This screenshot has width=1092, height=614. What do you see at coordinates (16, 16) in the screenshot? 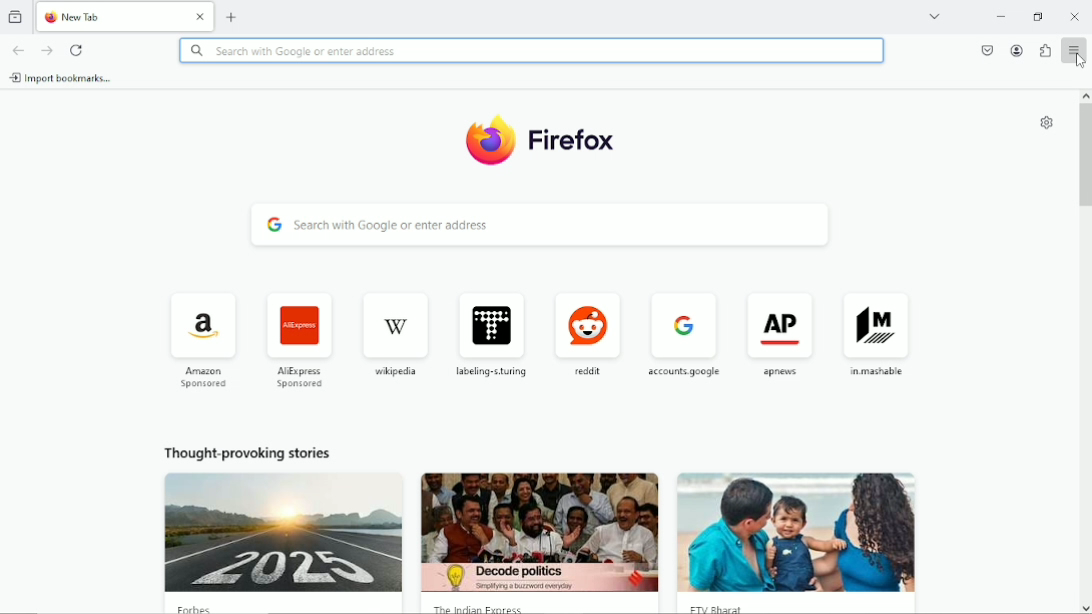
I see `view recent browsing` at bounding box center [16, 16].